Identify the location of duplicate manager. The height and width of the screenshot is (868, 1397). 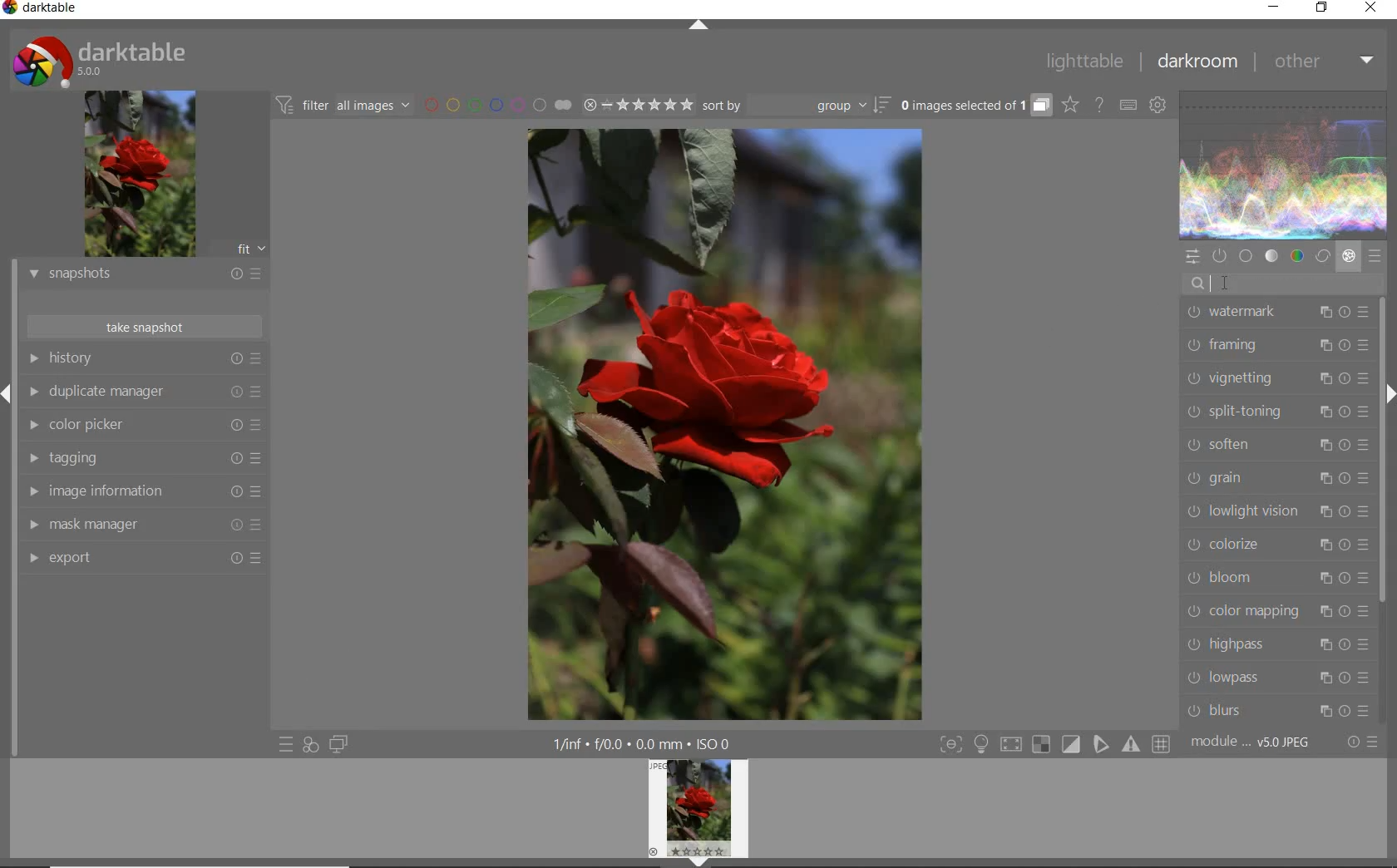
(143, 392).